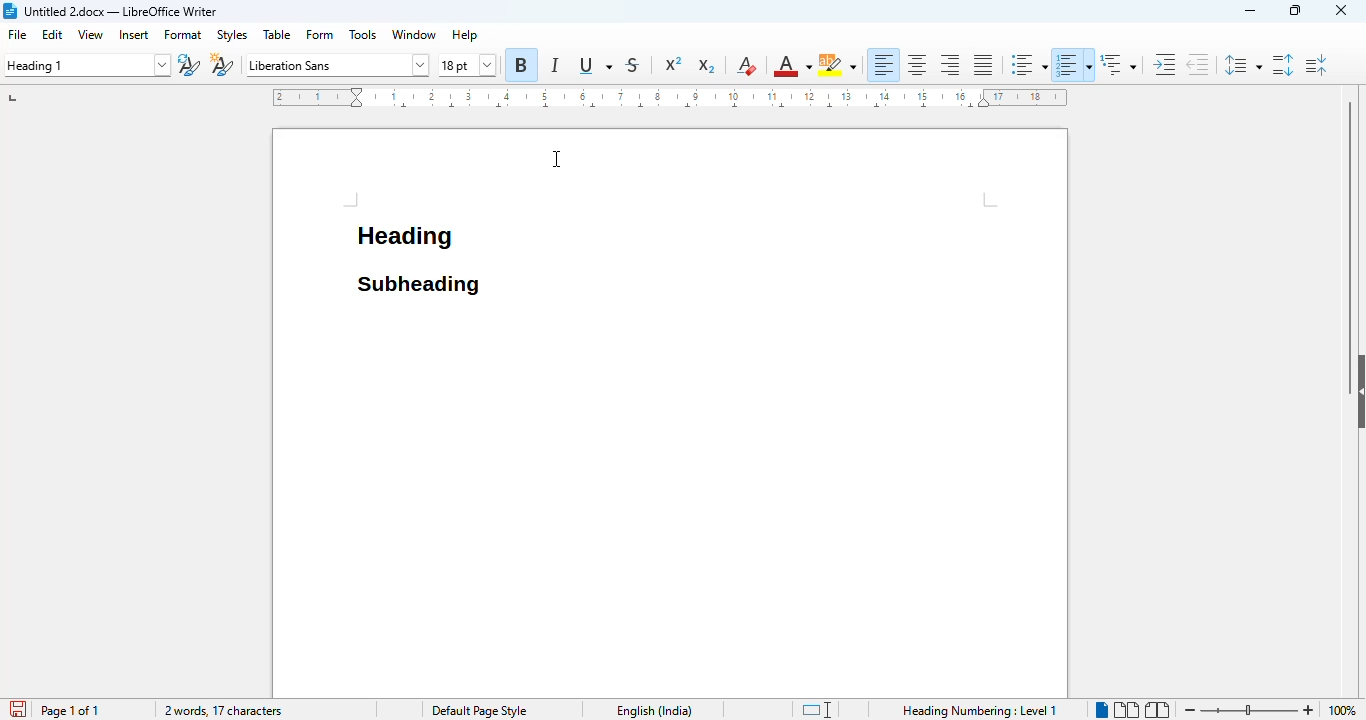  What do you see at coordinates (1316, 65) in the screenshot?
I see `decrease paragraph spacing` at bounding box center [1316, 65].